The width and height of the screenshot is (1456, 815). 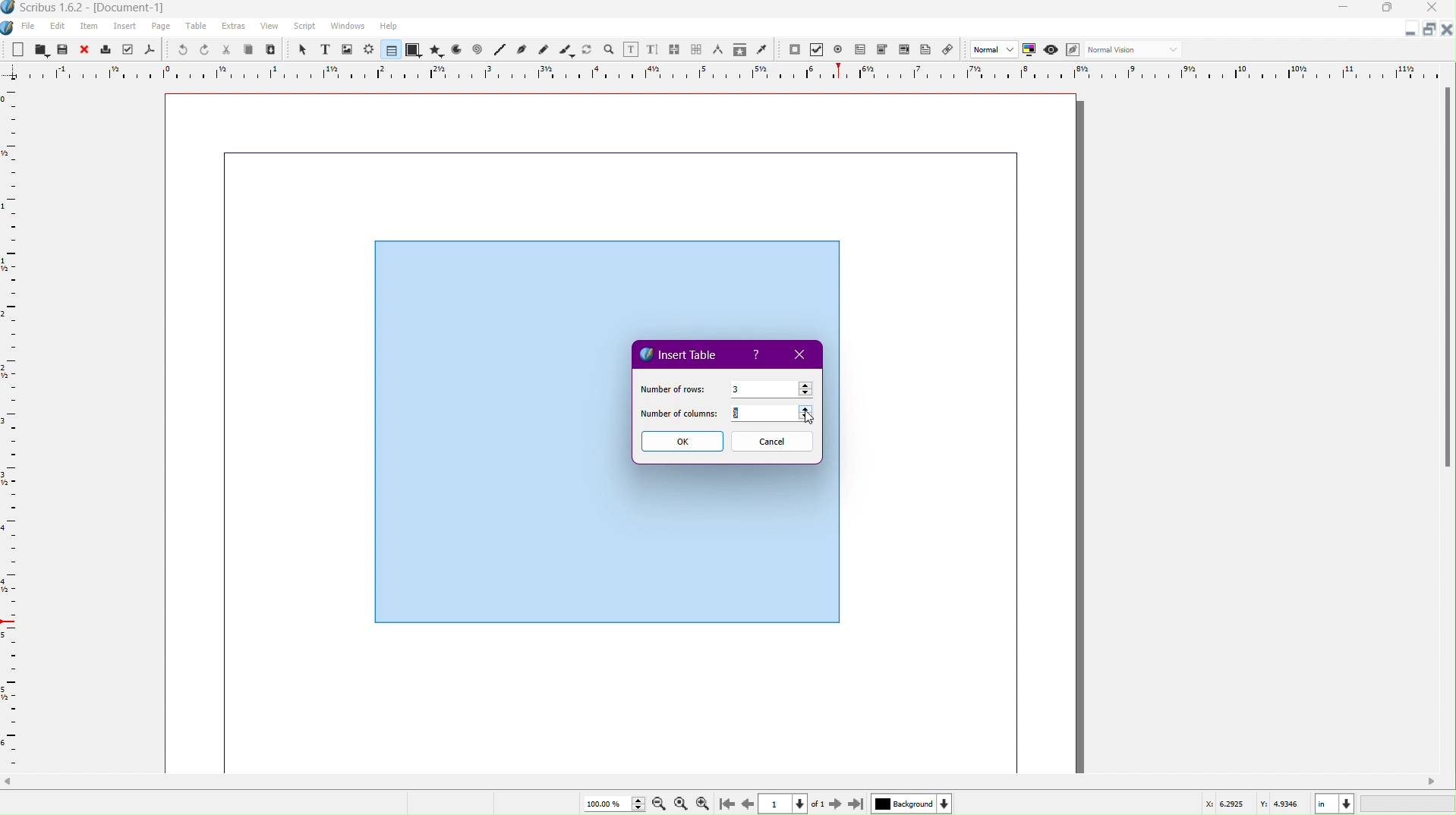 I want to click on Page Number, so click(x=785, y=804).